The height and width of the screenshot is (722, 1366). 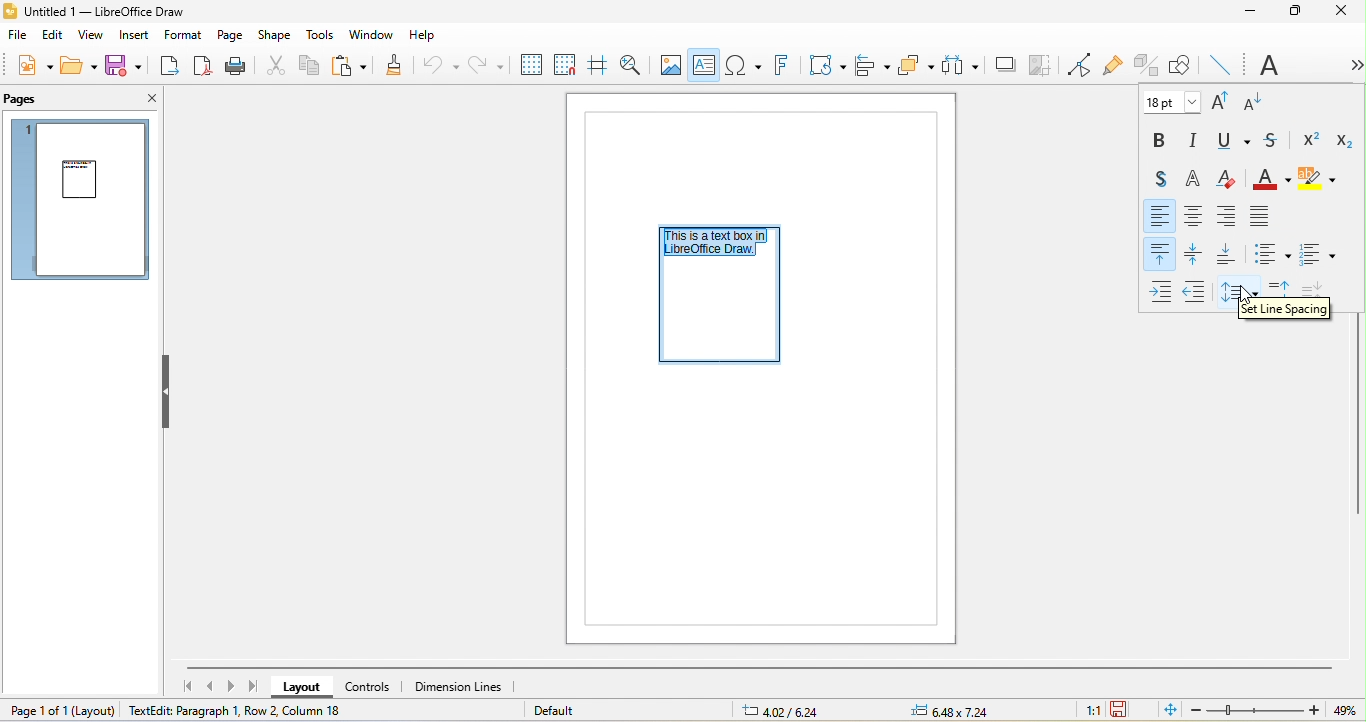 What do you see at coordinates (1223, 100) in the screenshot?
I see `increase font size` at bounding box center [1223, 100].